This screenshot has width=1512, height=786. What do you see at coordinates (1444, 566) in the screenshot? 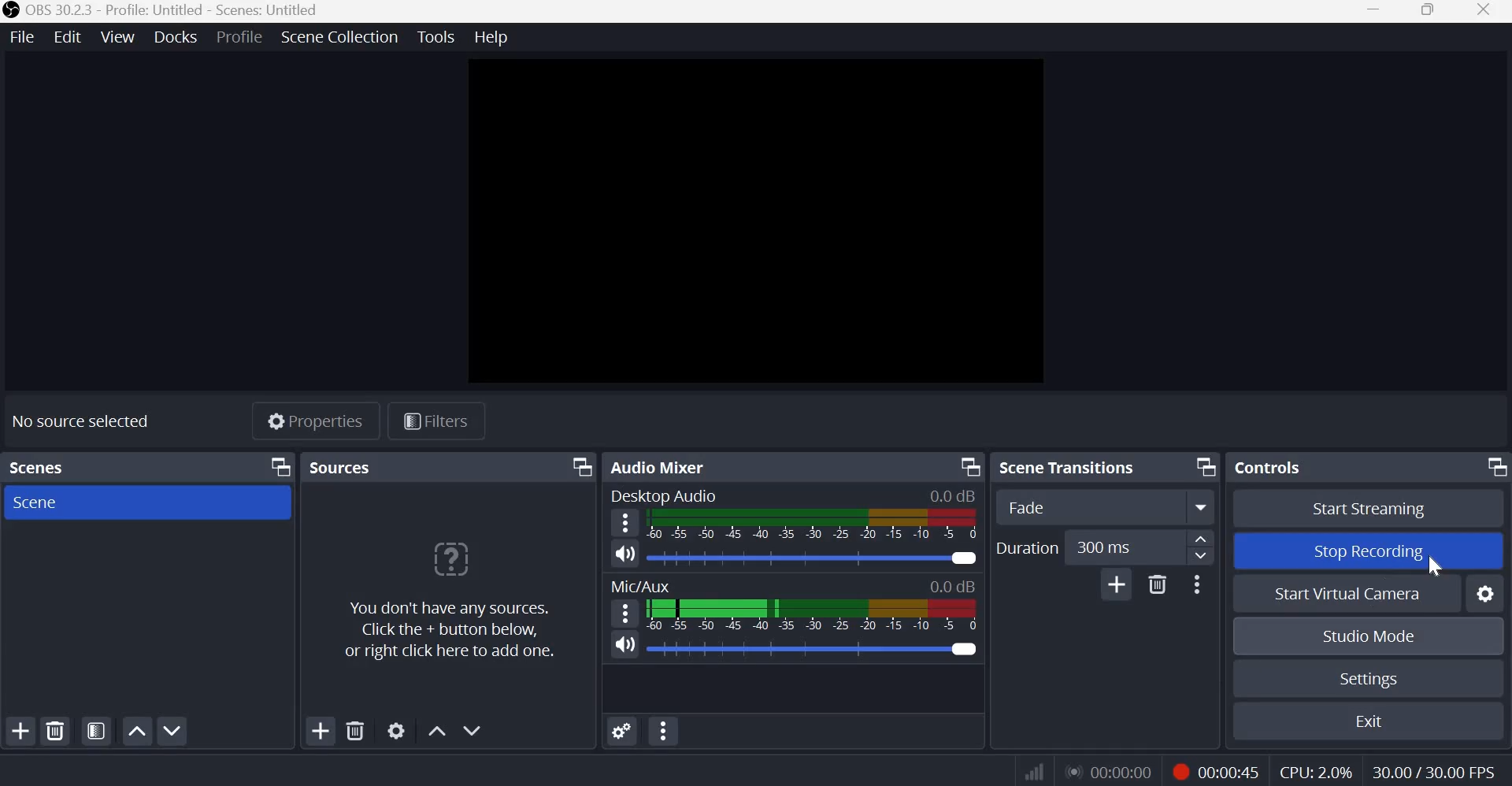
I see `cursor` at bounding box center [1444, 566].